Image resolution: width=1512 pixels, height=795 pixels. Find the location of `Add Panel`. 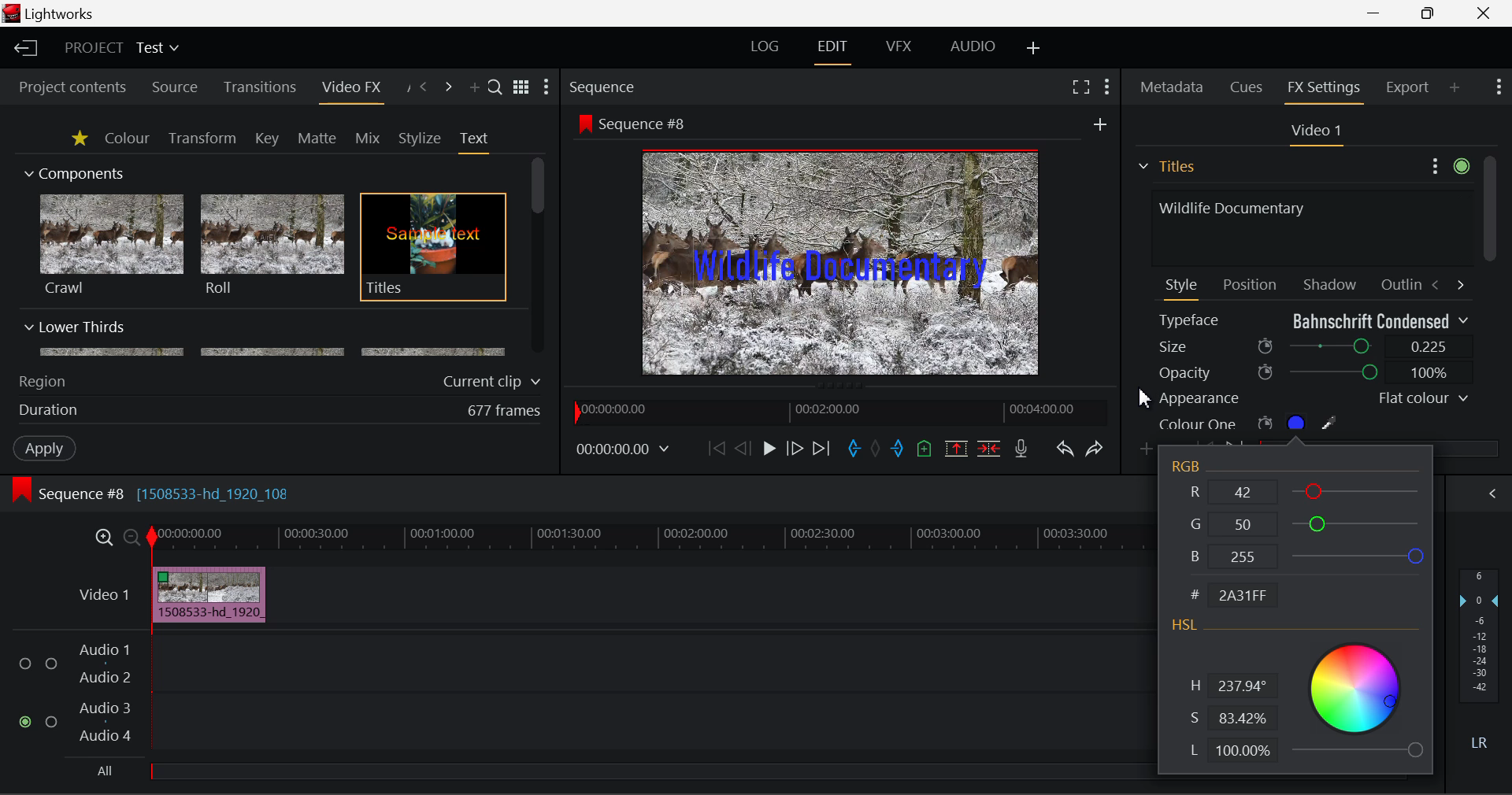

Add Panel is located at coordinates (1455, 87).